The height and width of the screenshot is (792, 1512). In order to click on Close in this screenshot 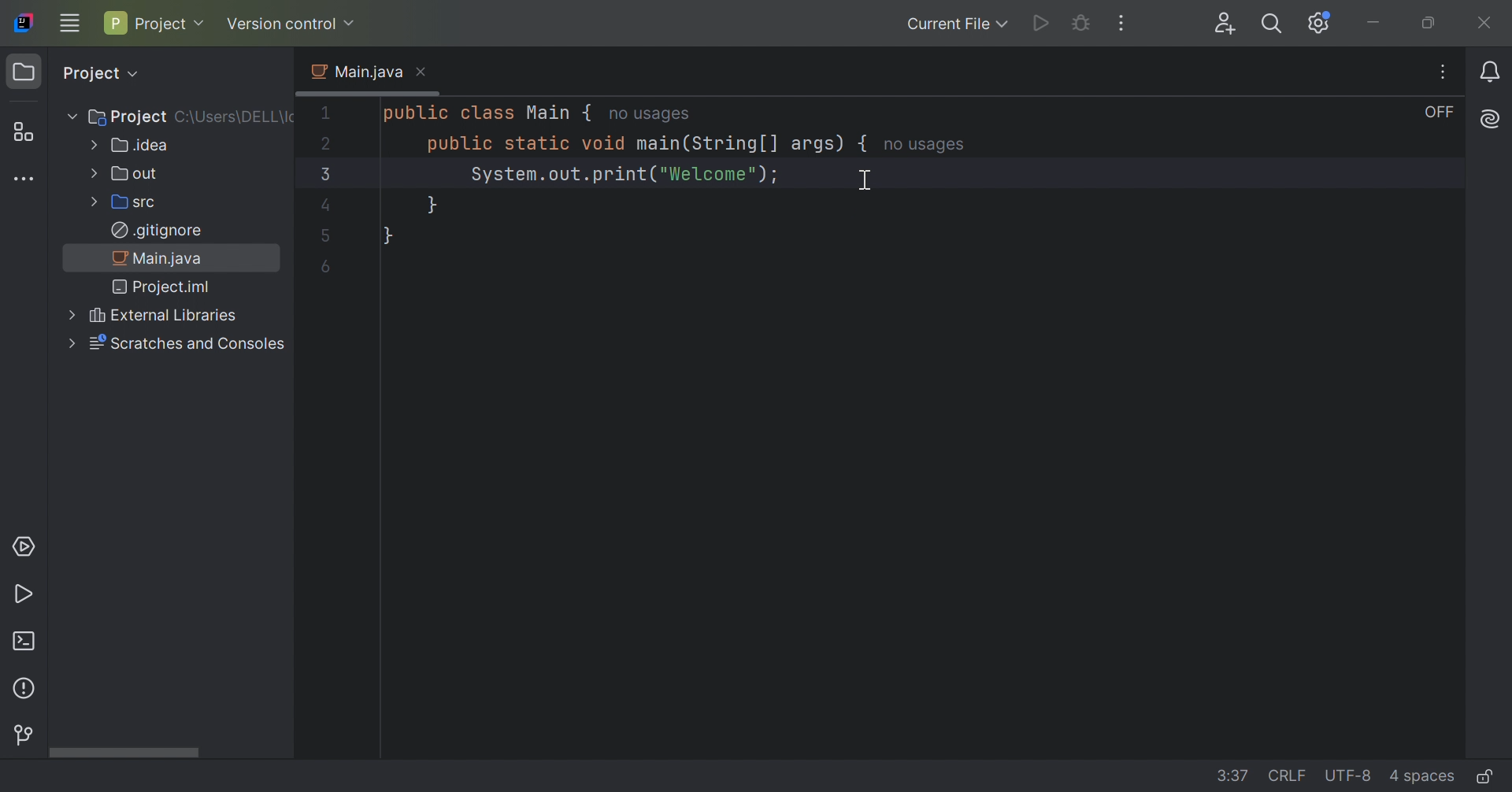, I will do `click(423, 72)`.